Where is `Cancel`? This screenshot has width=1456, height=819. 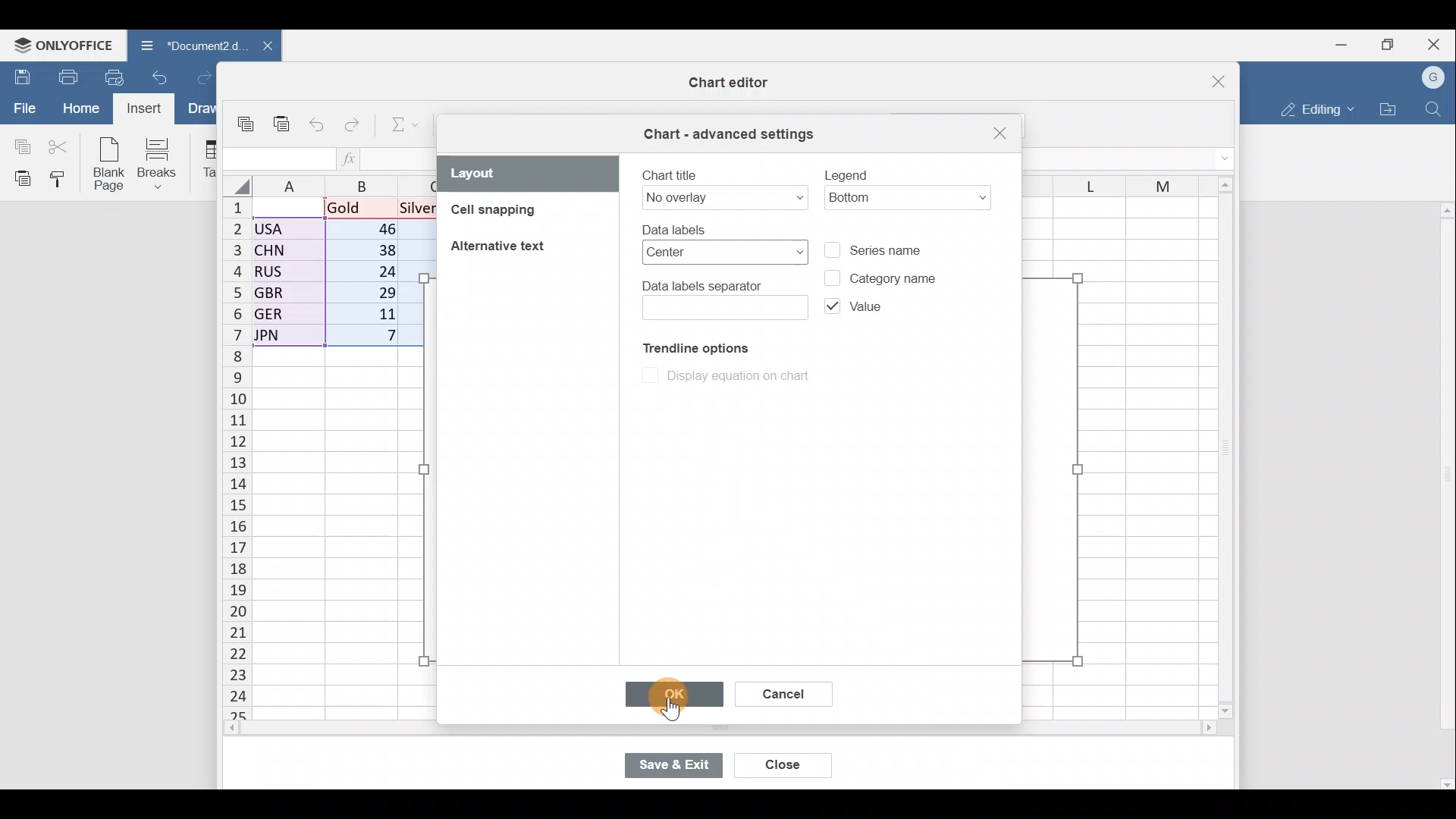
Cancel is located at coordinates (781, 696).